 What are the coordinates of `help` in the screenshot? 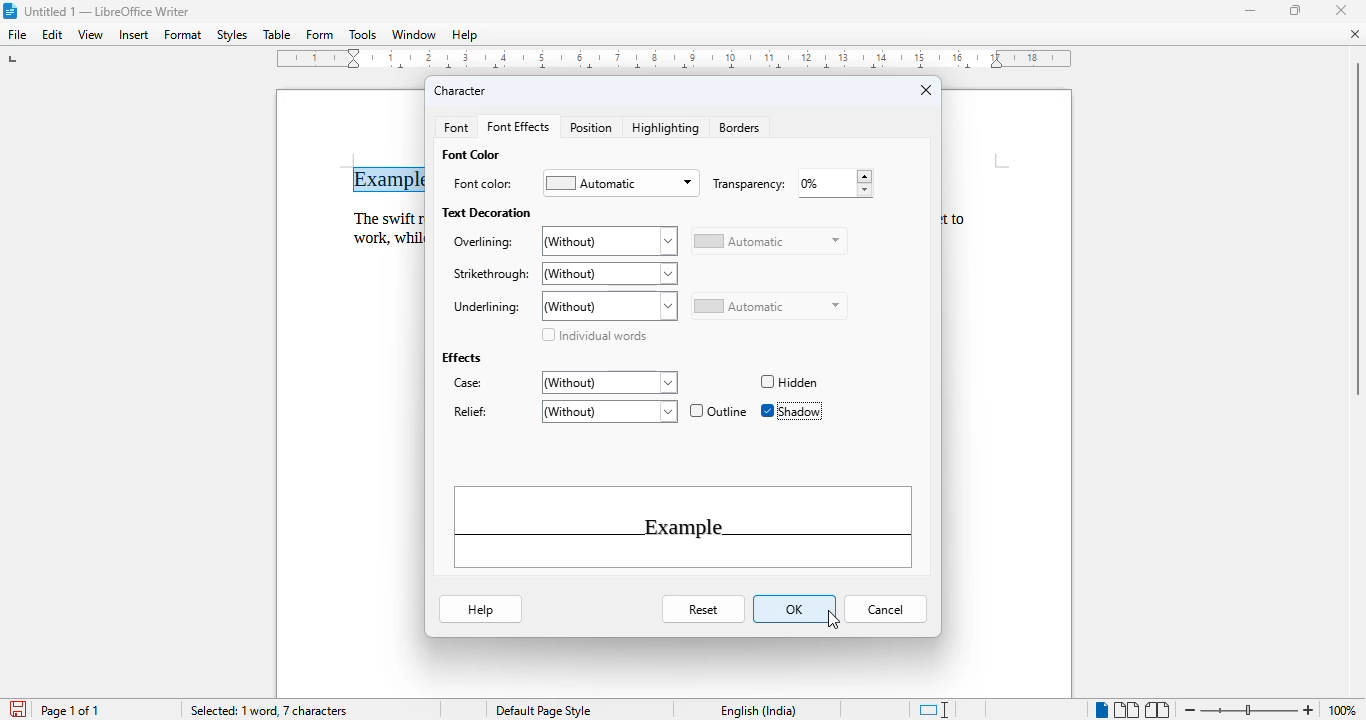 It's located at (480, 608).